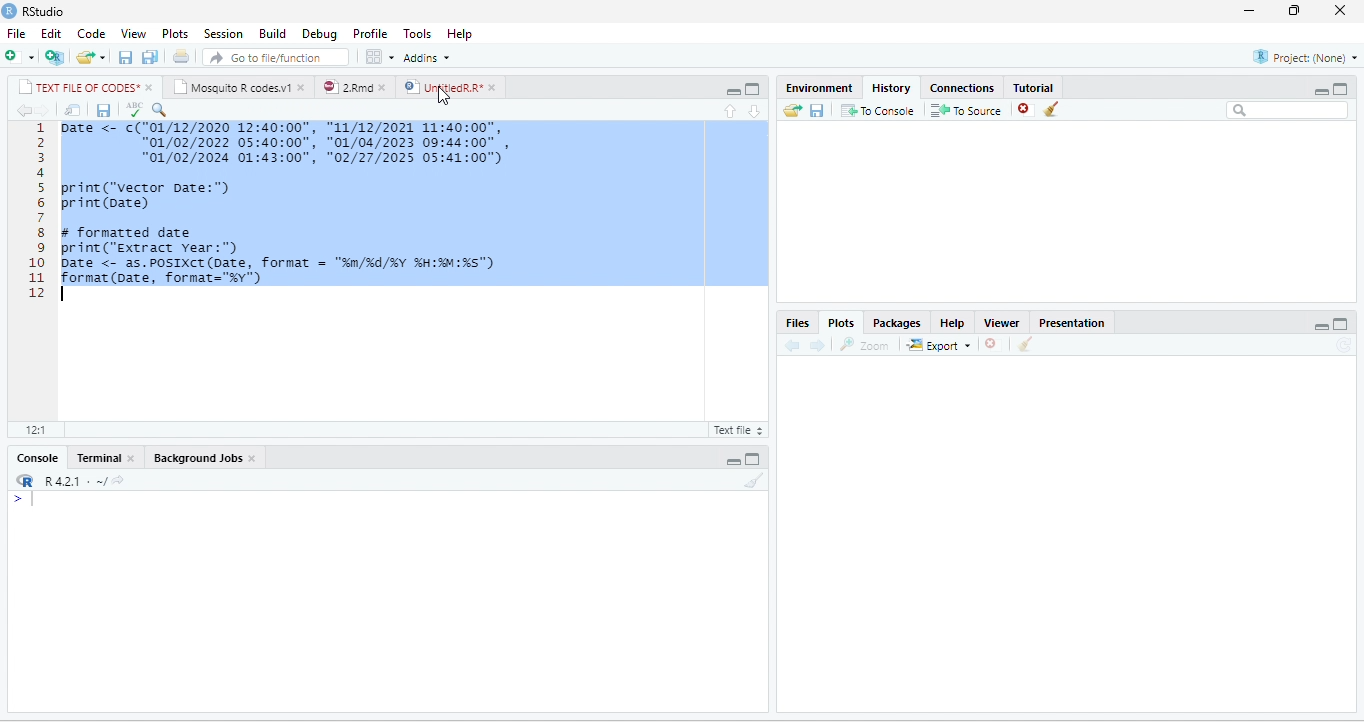  Describe the element at coordinates (1287, 111) in the screenshot. I see `search bar` at that location.